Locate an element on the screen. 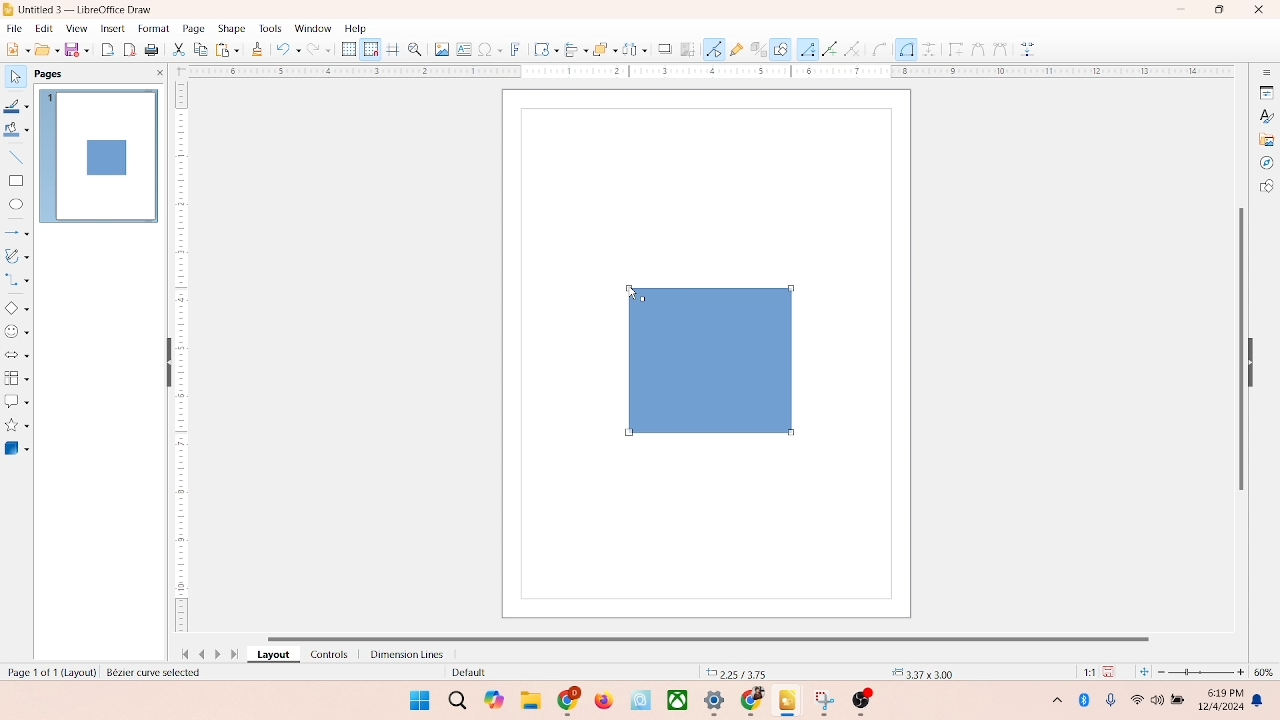 The image size is (1280, 720). layout is located at coordinates (272, 655).